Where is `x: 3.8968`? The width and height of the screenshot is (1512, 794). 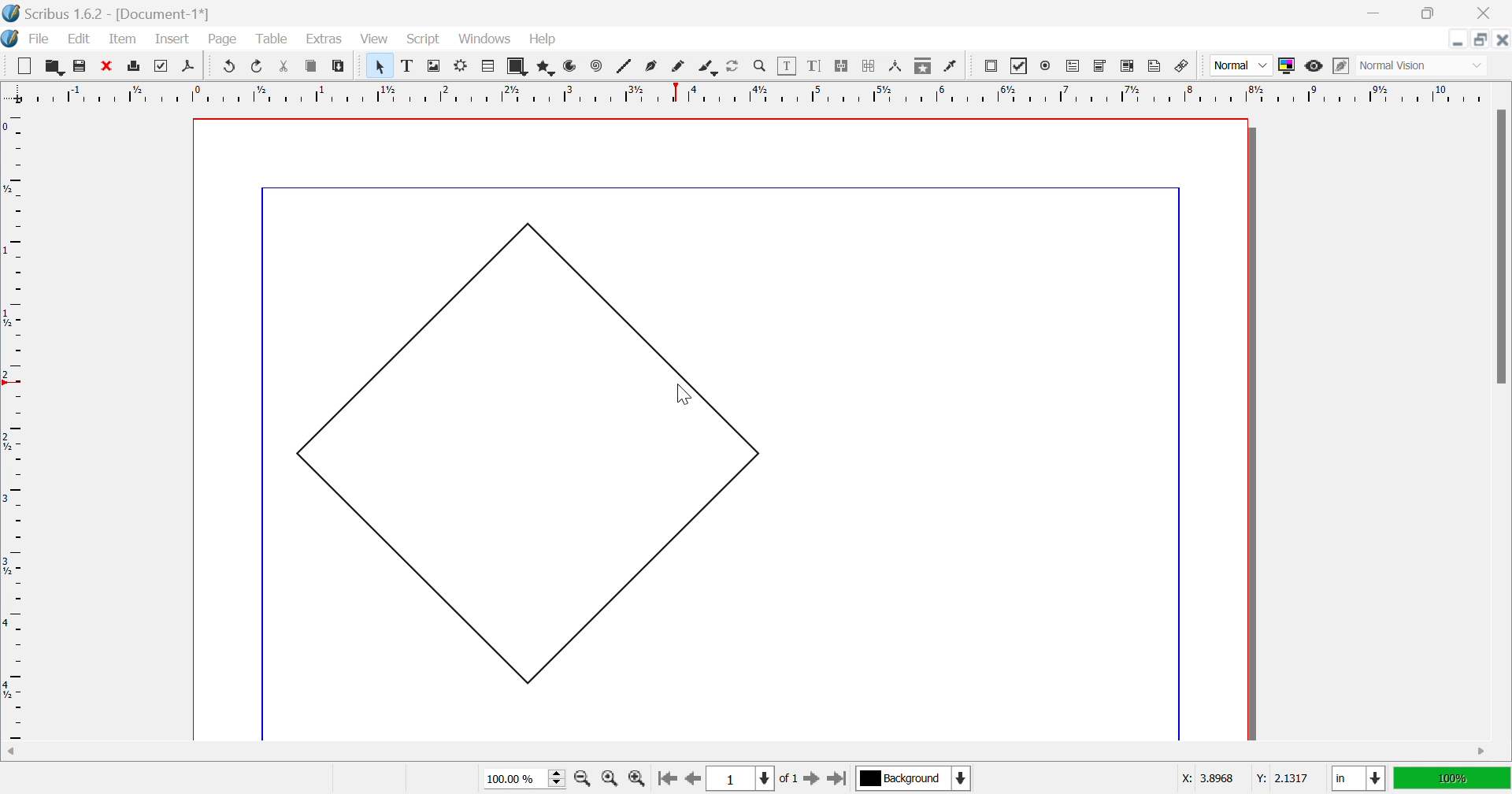
x: 3.8968 is located at coordinates (1206, 779).